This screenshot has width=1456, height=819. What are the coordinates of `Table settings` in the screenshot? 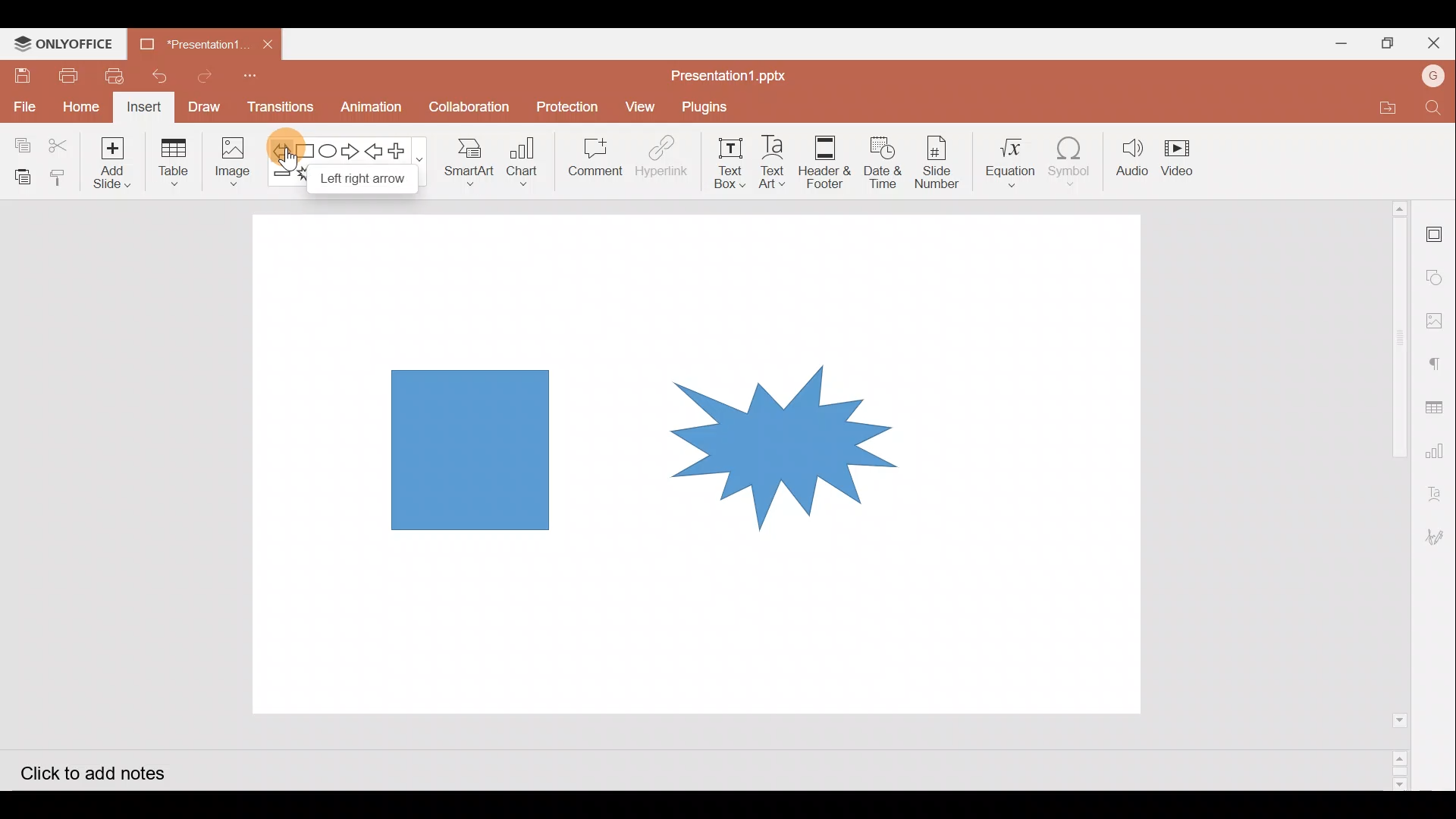 It's located at (1436, 403).